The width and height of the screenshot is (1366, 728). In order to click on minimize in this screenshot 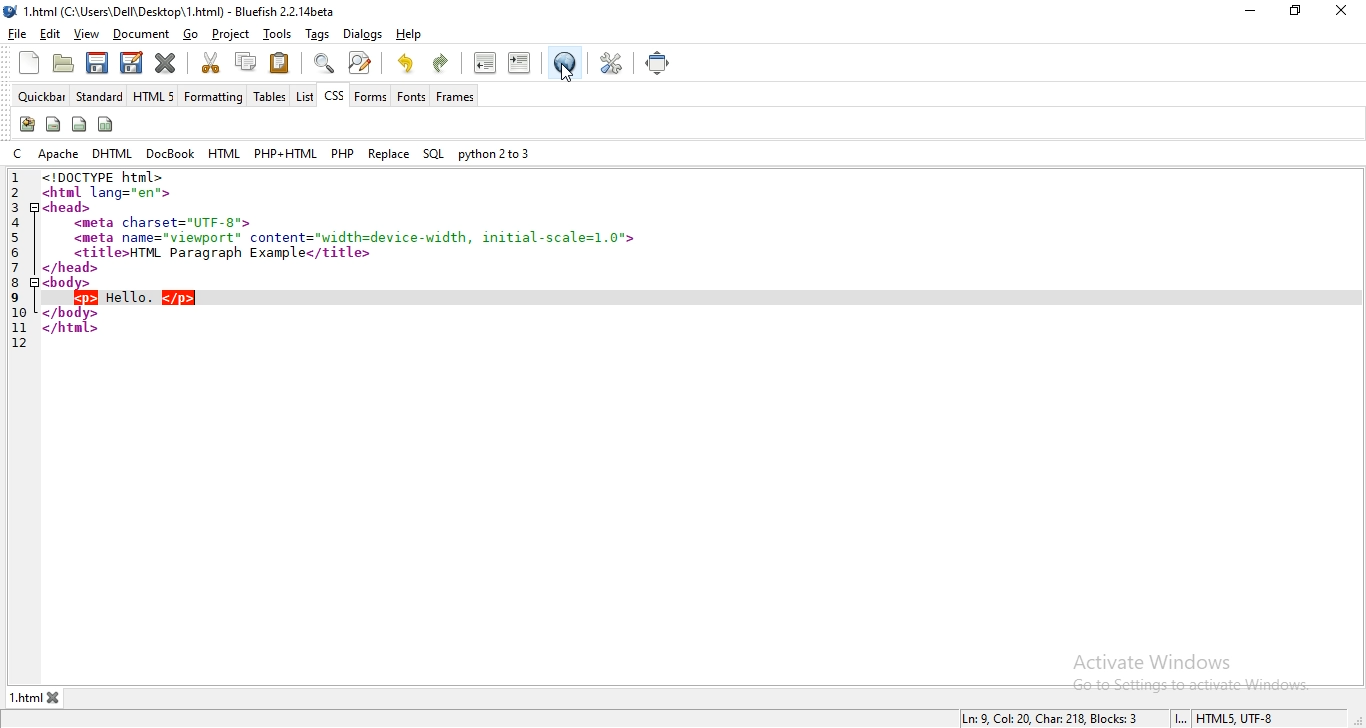, I will do `click(1252, 11)`.